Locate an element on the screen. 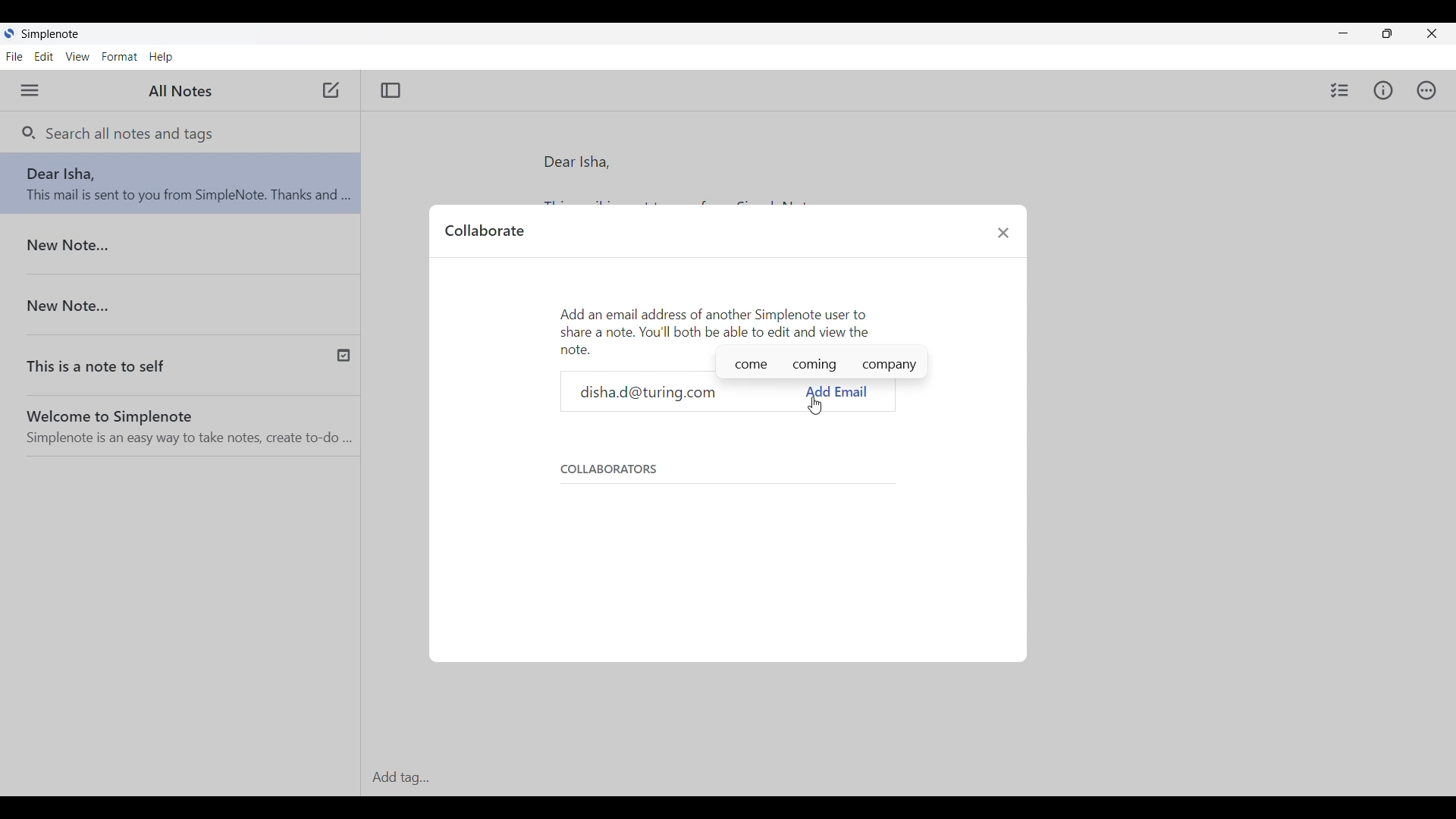  Search all notes and tags is located at coordinates (128, 133).